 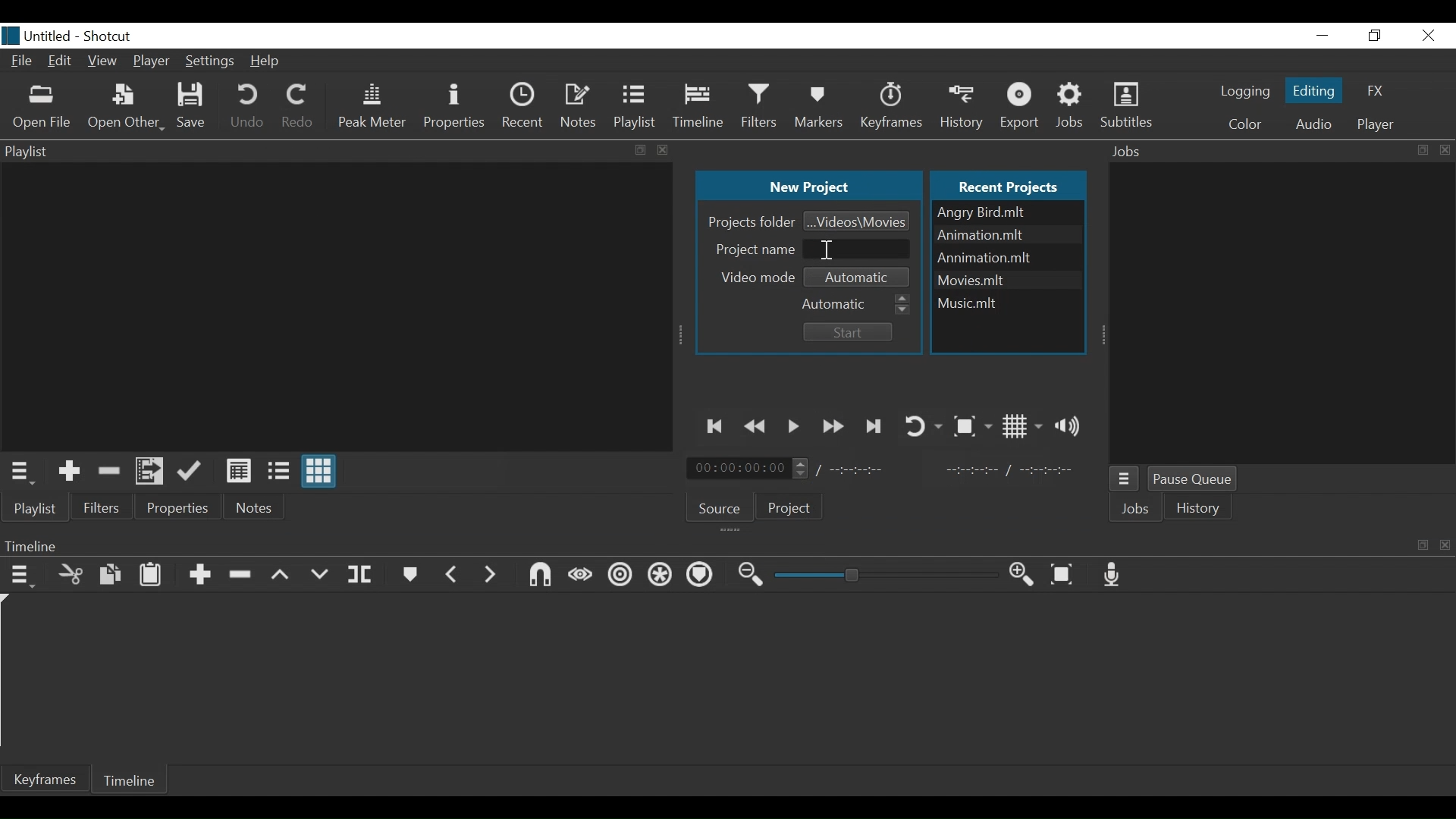 What do you see at coordinates (199, 576) in the screenshot?
I see `Append` at bounding box center [199, 576].